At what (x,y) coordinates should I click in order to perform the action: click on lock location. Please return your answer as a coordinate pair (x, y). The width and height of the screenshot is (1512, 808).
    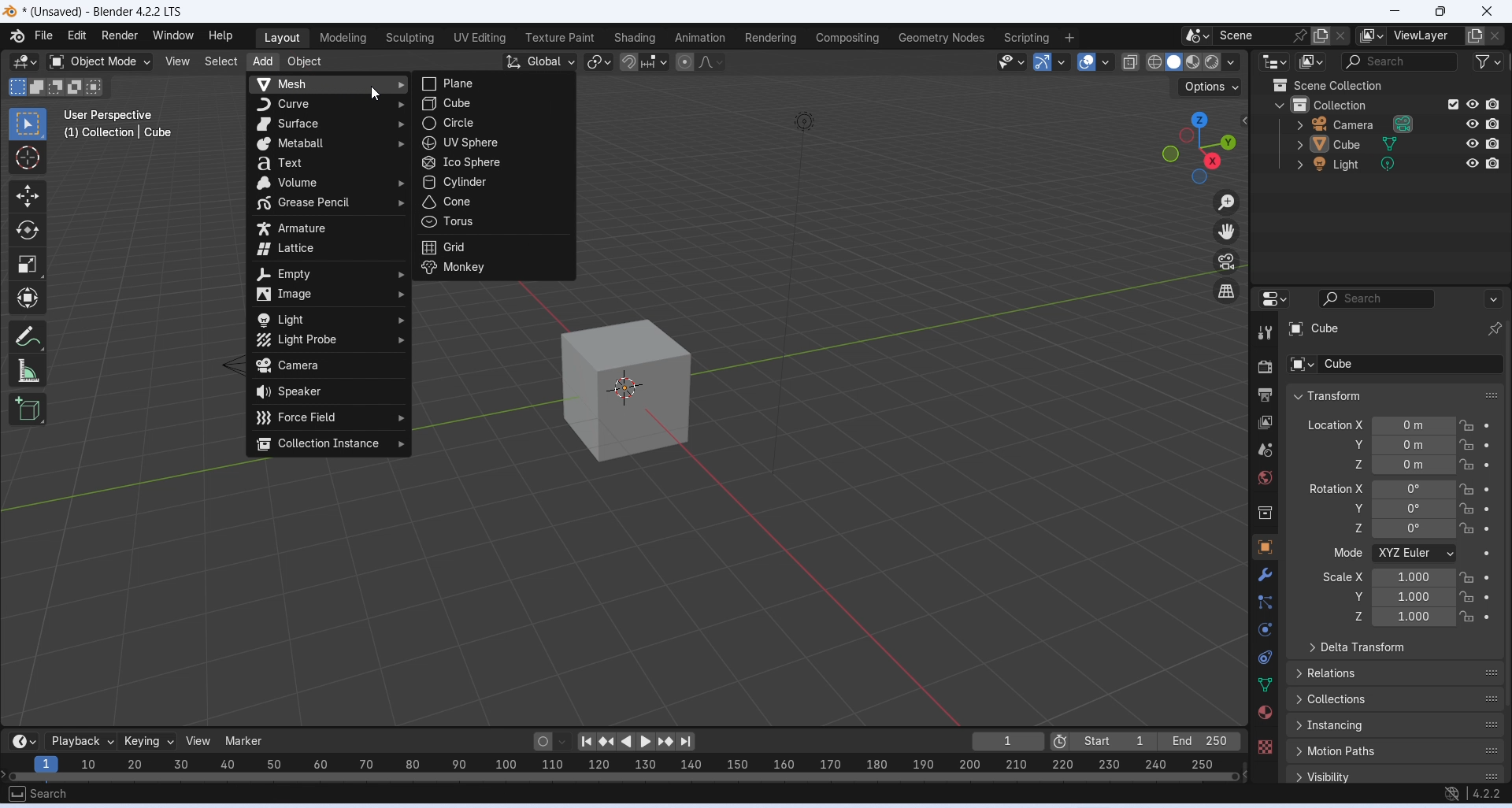
    Looking at the image, I should click on (1468, 528).